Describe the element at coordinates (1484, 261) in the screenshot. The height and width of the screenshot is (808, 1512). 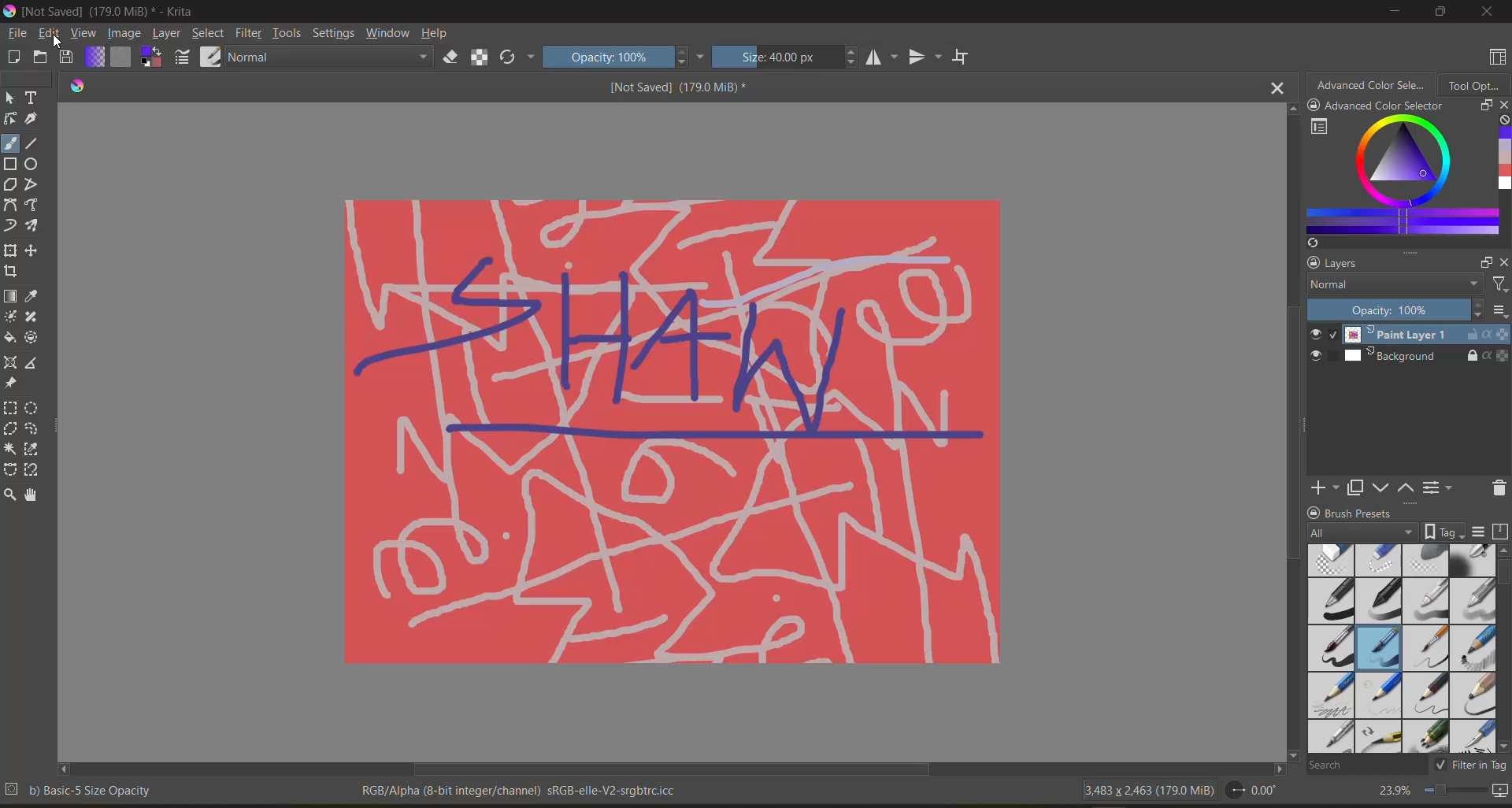
I see `float docker` at that location.